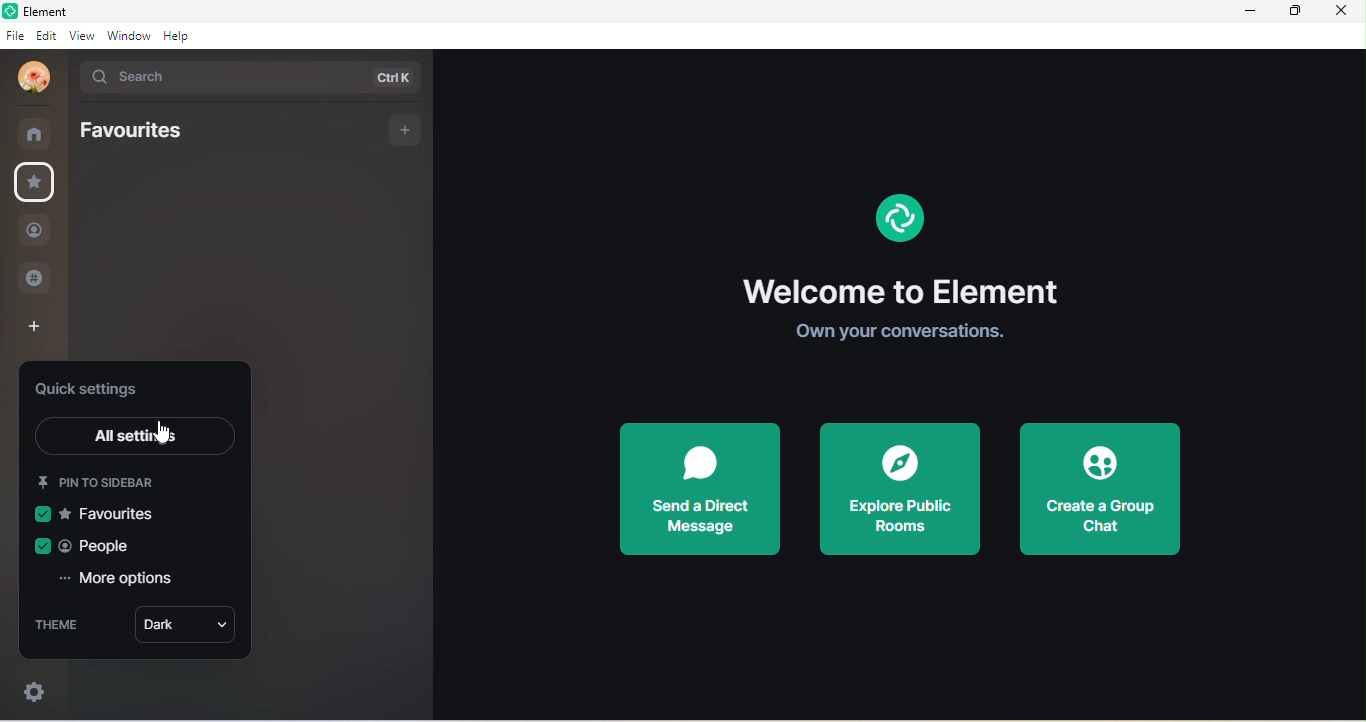 The image size is (1366, 722). Describe the element at coordinates (39, 694) in the screenshot. I see `settings` at that location.